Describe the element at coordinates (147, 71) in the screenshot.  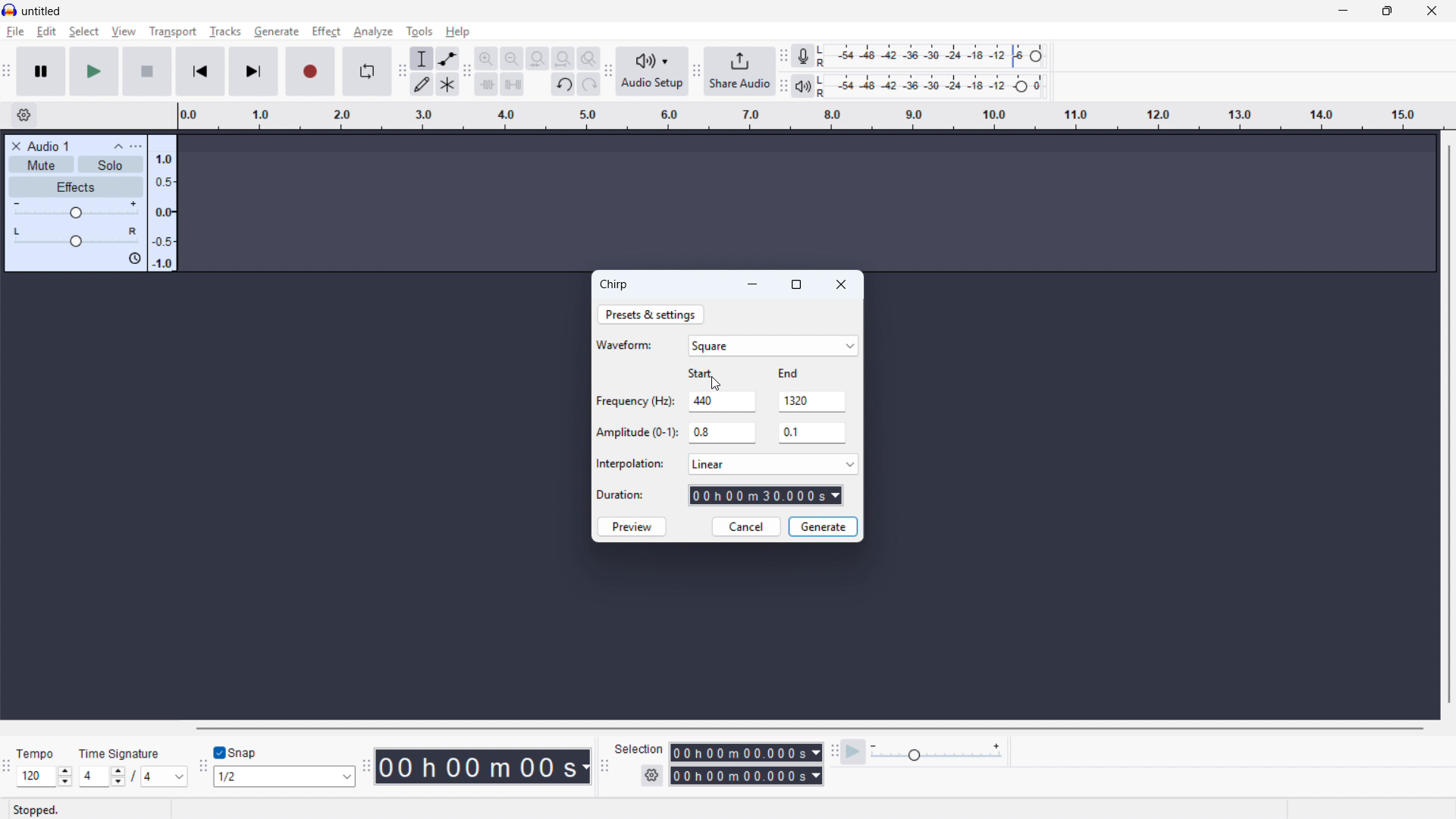
I see `stop ` at that location.